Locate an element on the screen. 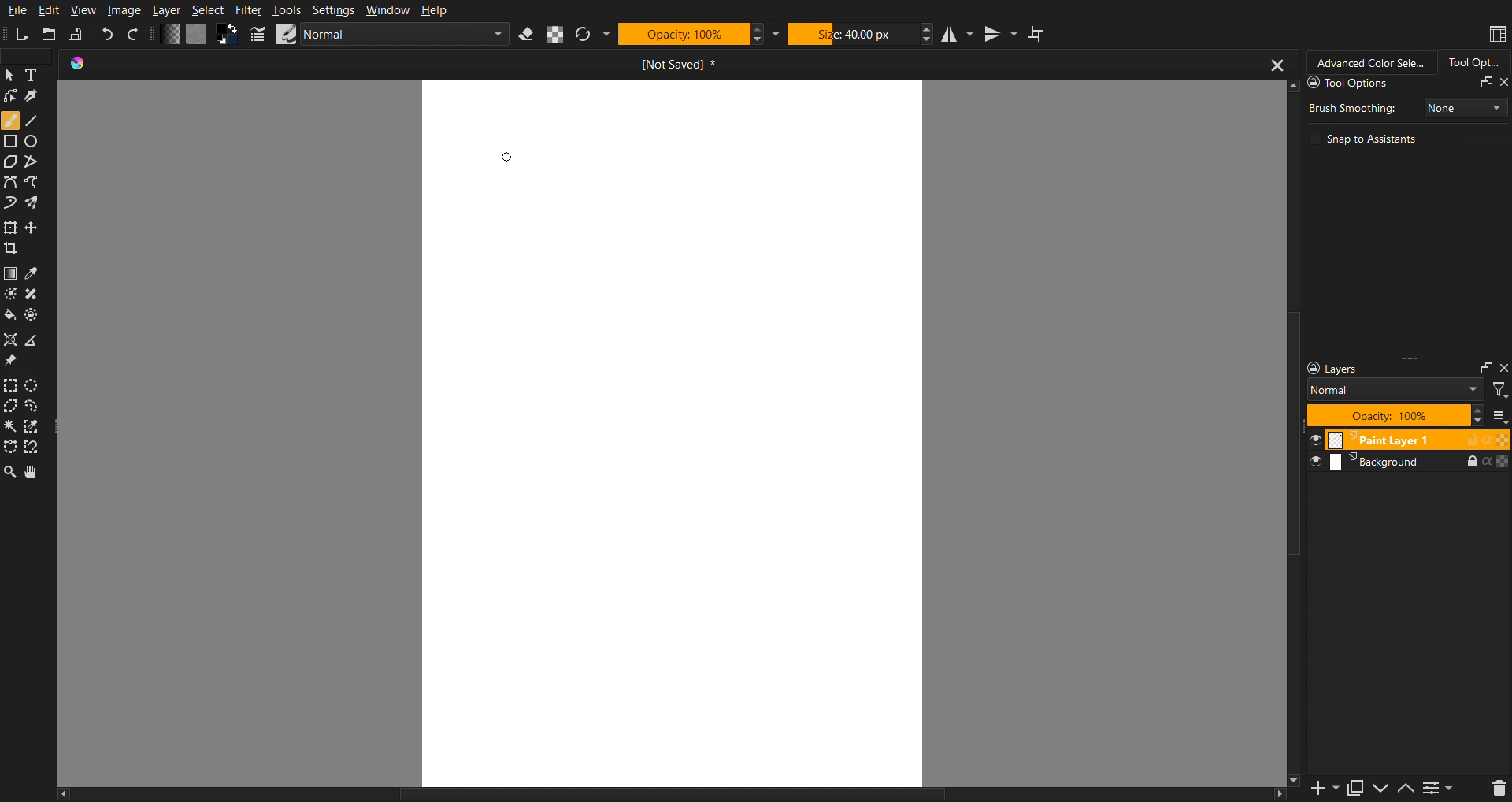 The width and height of the screenshot is (1512, 802). Crop is located at coordinates (13, 249).